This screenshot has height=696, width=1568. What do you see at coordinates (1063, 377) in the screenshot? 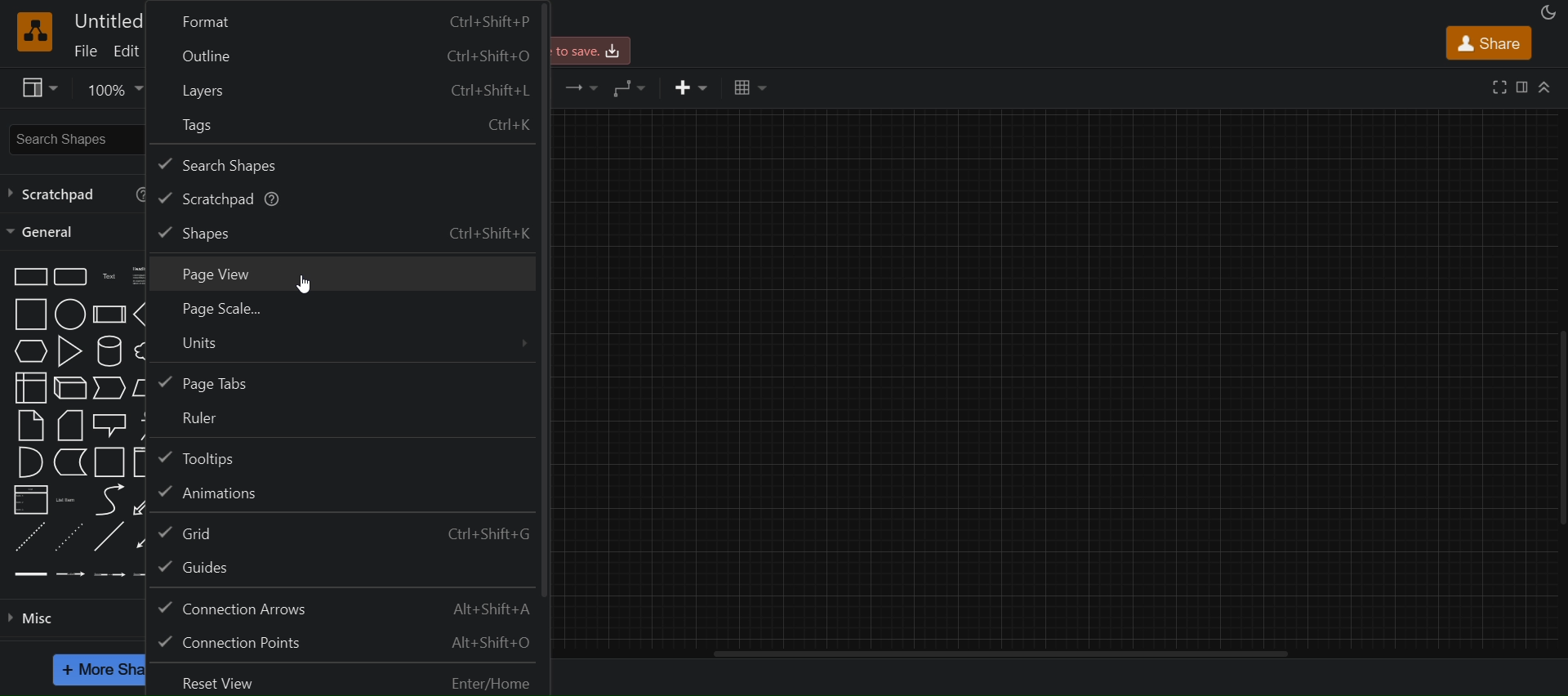
I see `canvas` at bounding box center [1063, 377].